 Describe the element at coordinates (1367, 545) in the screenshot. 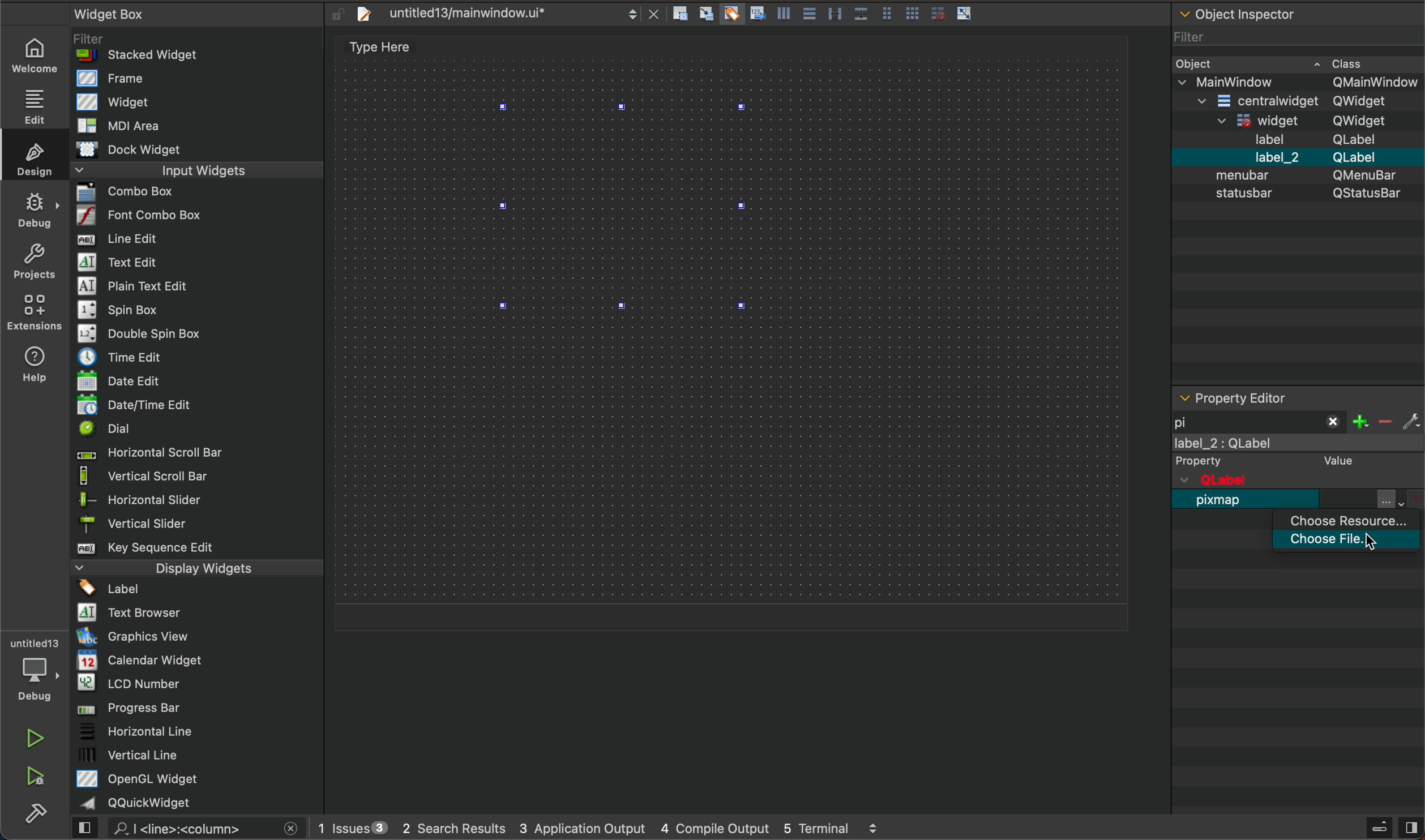

I see `cursor` at that location.